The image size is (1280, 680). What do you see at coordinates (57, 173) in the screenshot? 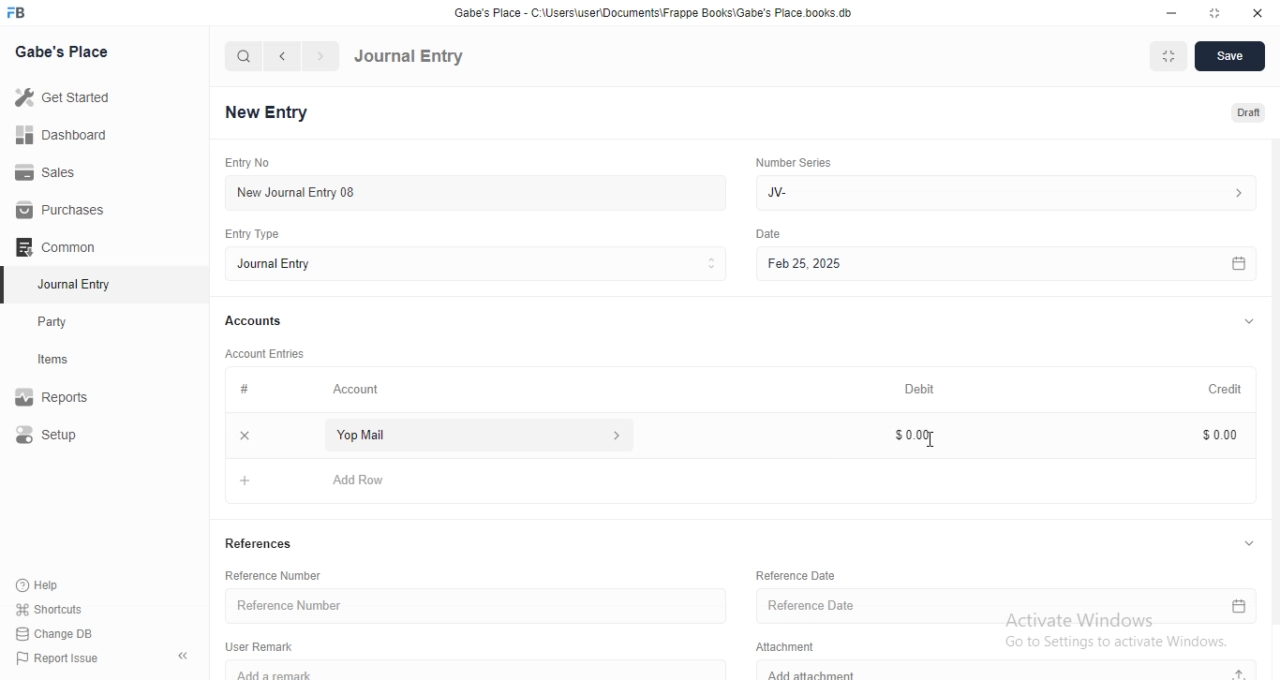
I see `Sales` at bounding box center [57, 173].